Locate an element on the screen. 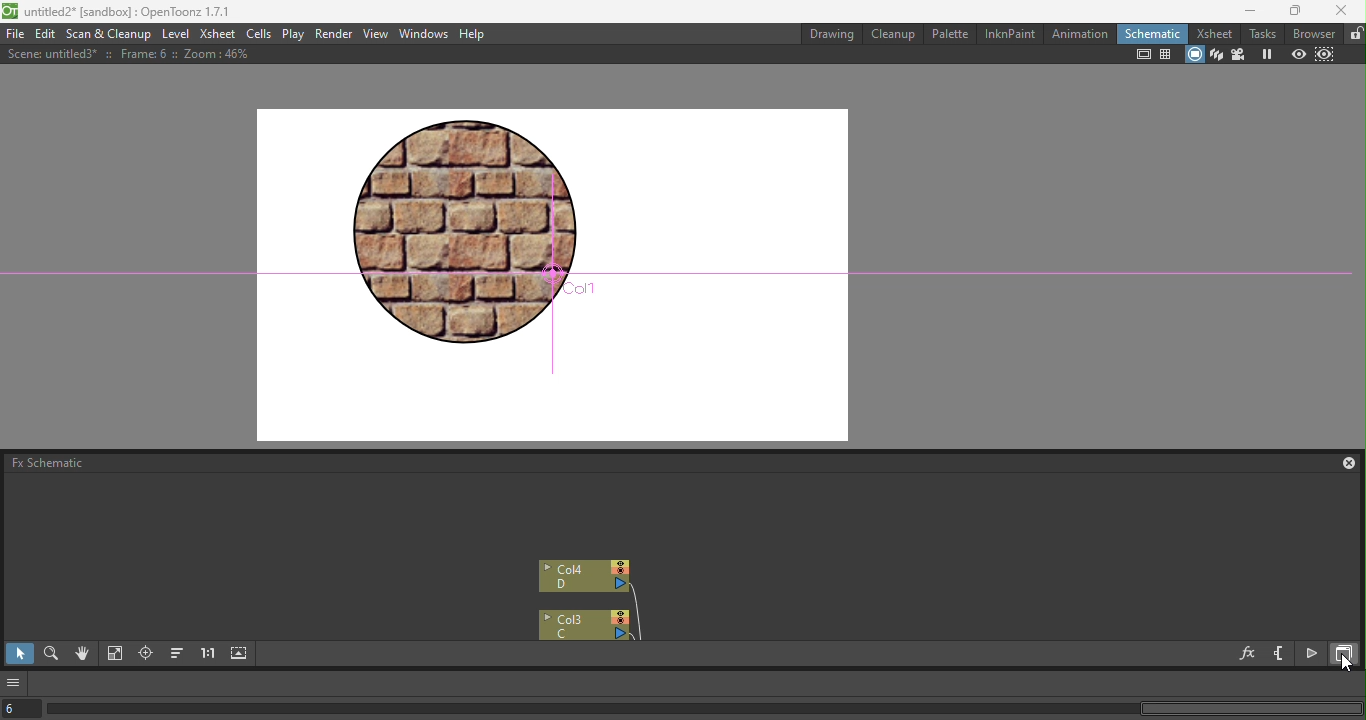 The width and height of the screenshot is (1366, 720). New FX is located at coordinates (1248, 655).